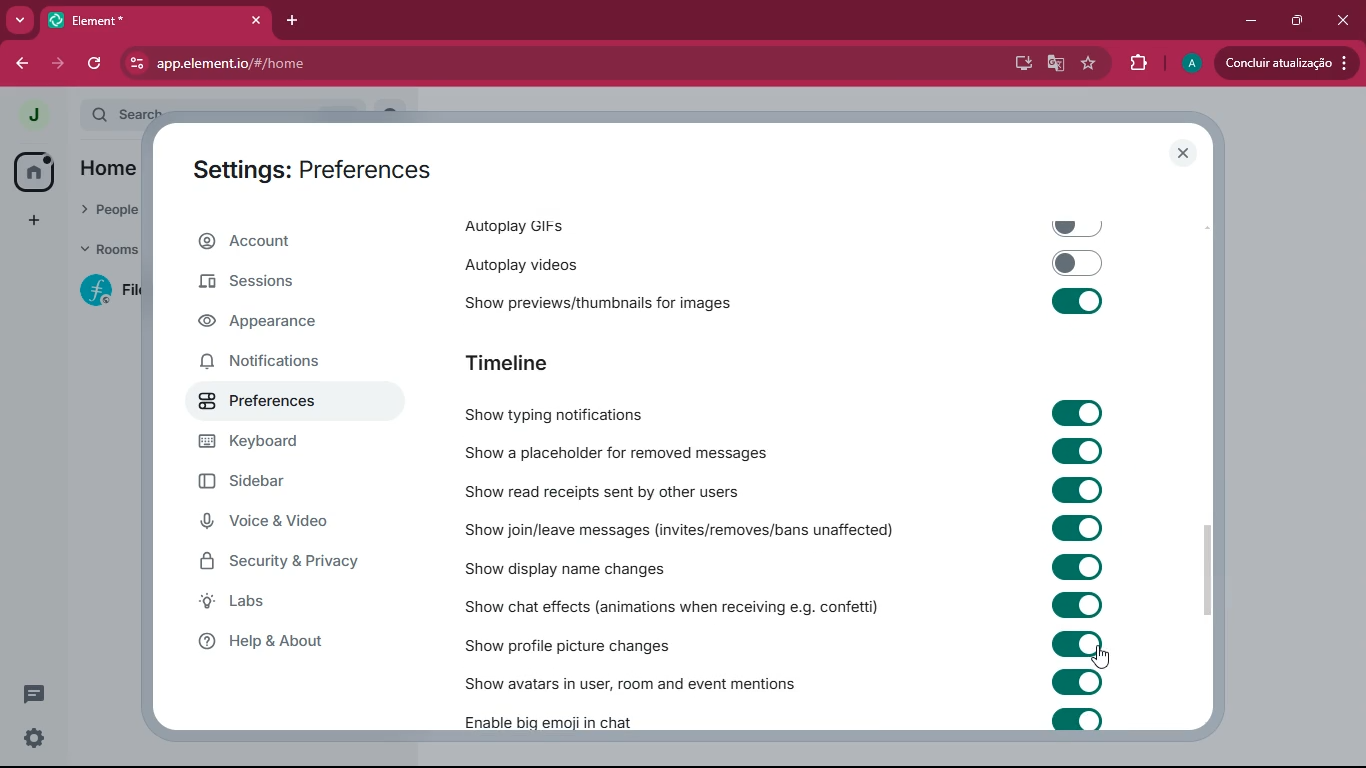  What do you see at coordinates (295, 21) in the screenshot?
I see `add tab` at bounding box center [295, 21].